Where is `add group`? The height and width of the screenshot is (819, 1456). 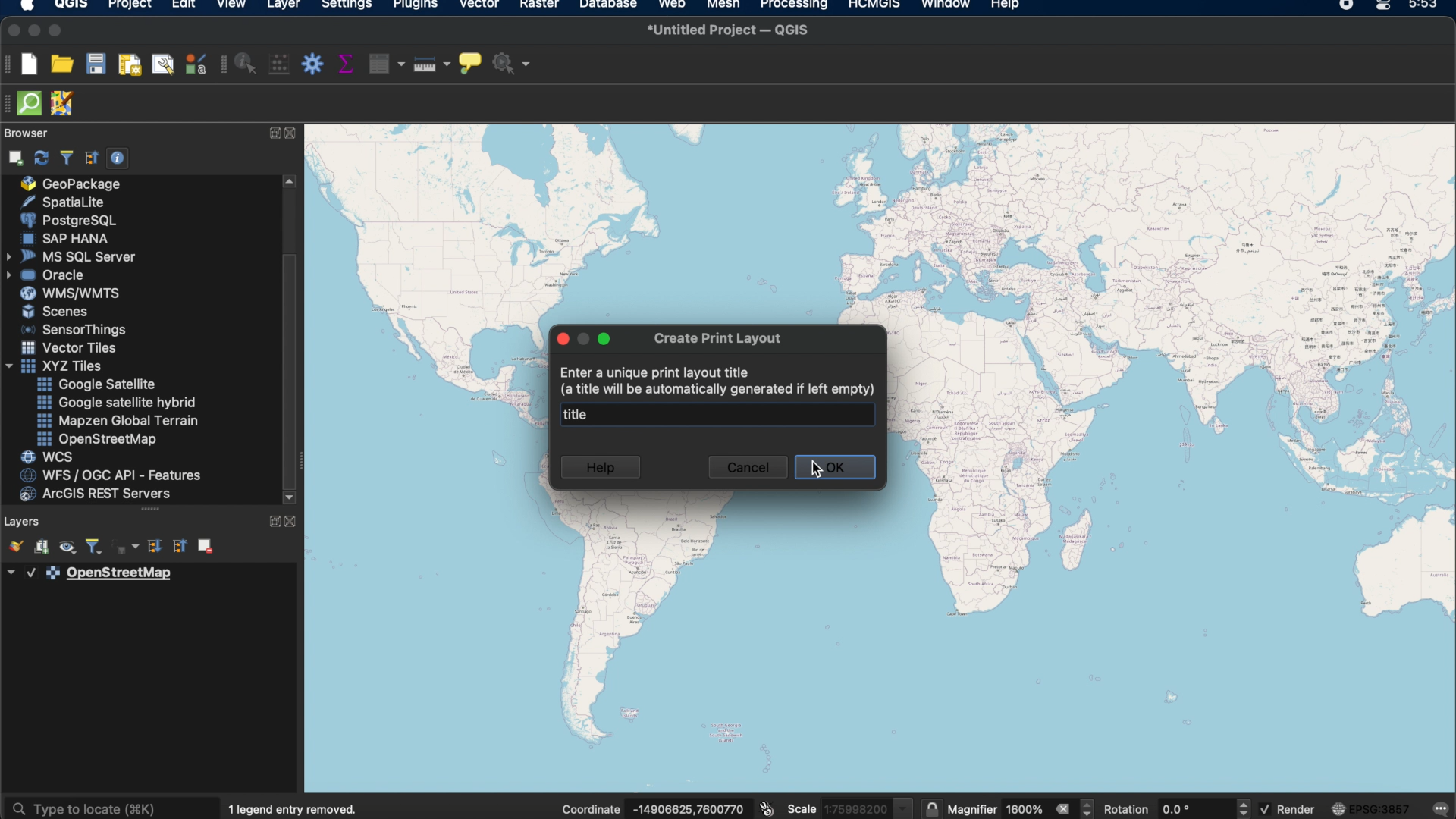 add group is located at coordinates (44, 545).